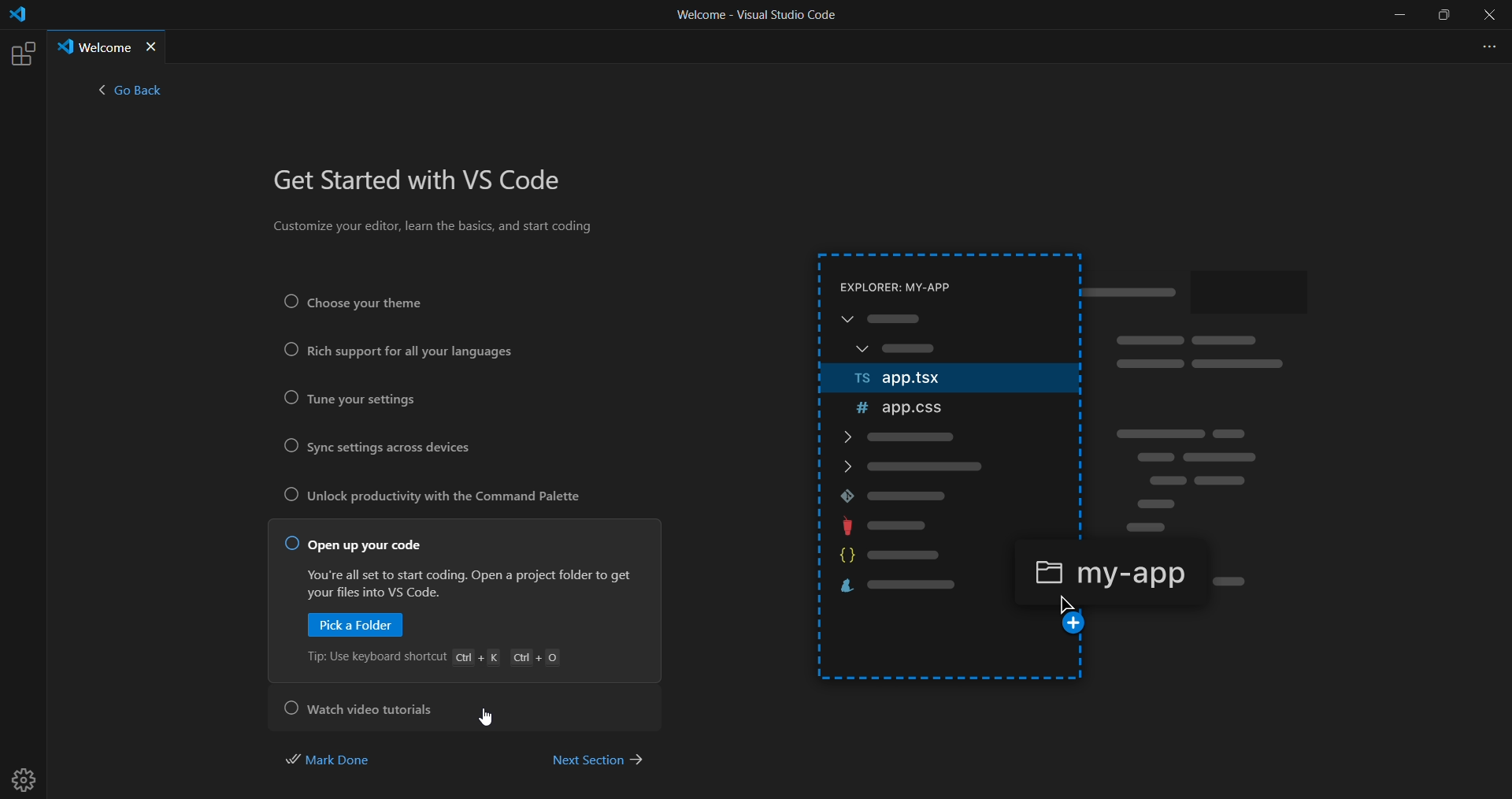  What do you see at coordinates (28, 774) in the screenshot?
I see `settings` at bounding box center [28, 774].